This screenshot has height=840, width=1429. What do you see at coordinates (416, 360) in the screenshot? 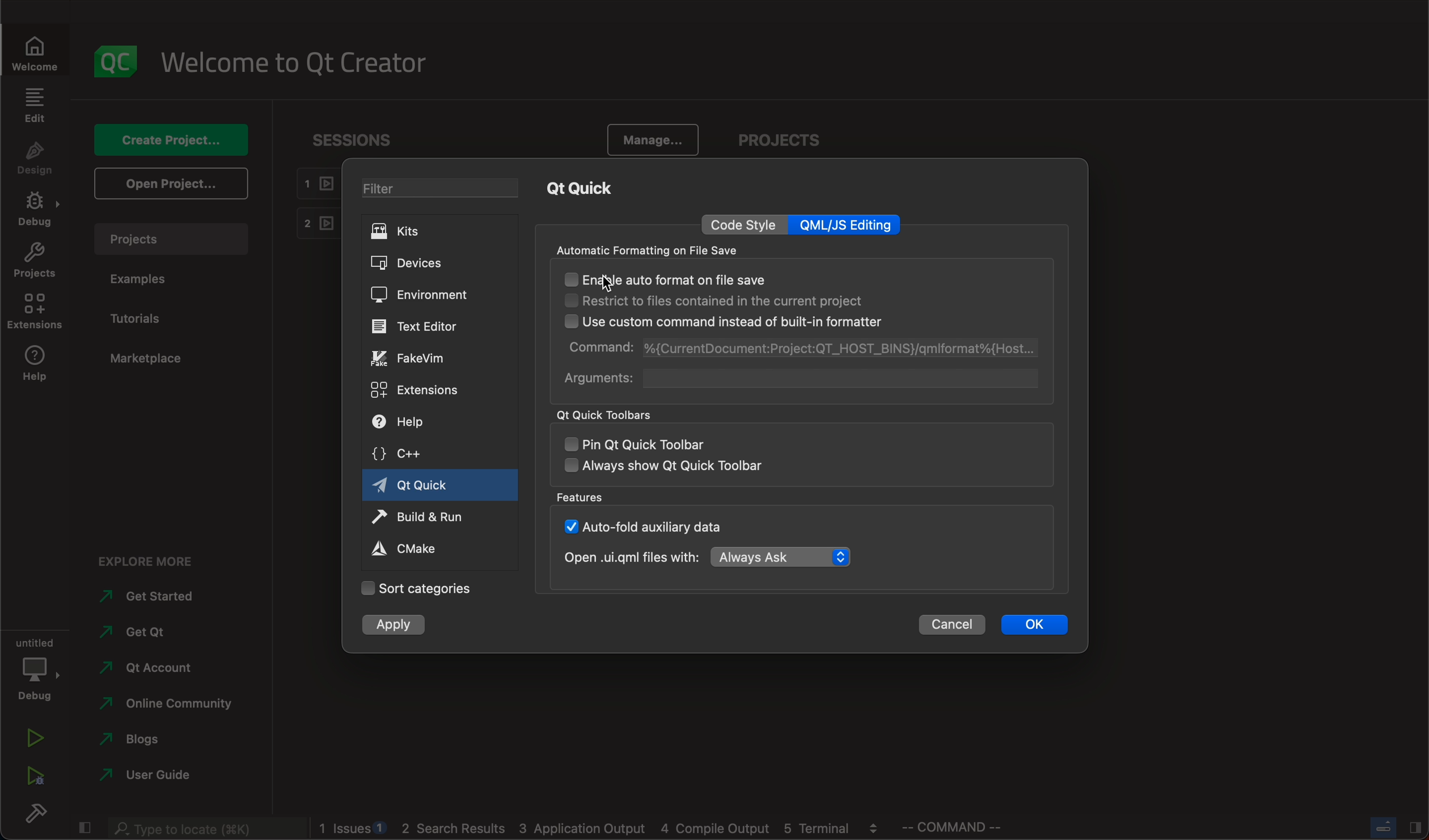
I see `fakevim` at bounding box center [416, 360].